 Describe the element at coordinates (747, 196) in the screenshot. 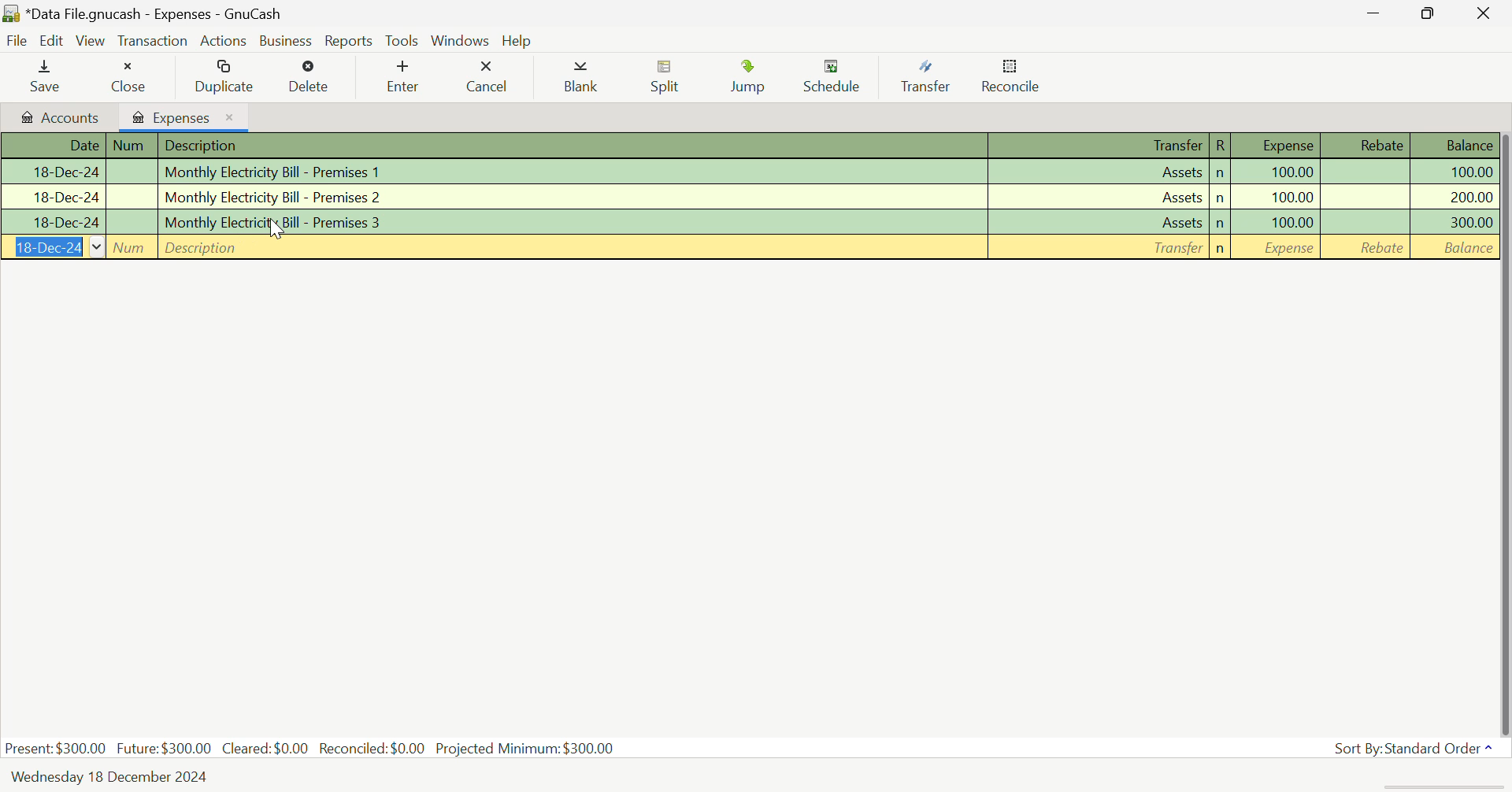

I see `Monthly Electricity Bill - Premises 2` at that location.